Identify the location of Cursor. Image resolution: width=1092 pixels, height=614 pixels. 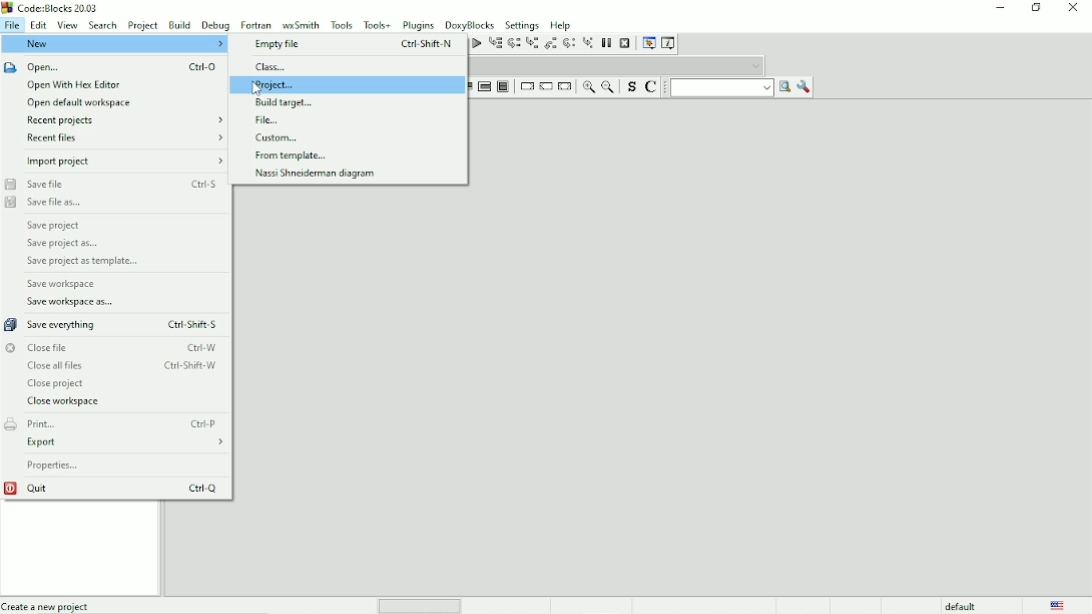
(256, 88).